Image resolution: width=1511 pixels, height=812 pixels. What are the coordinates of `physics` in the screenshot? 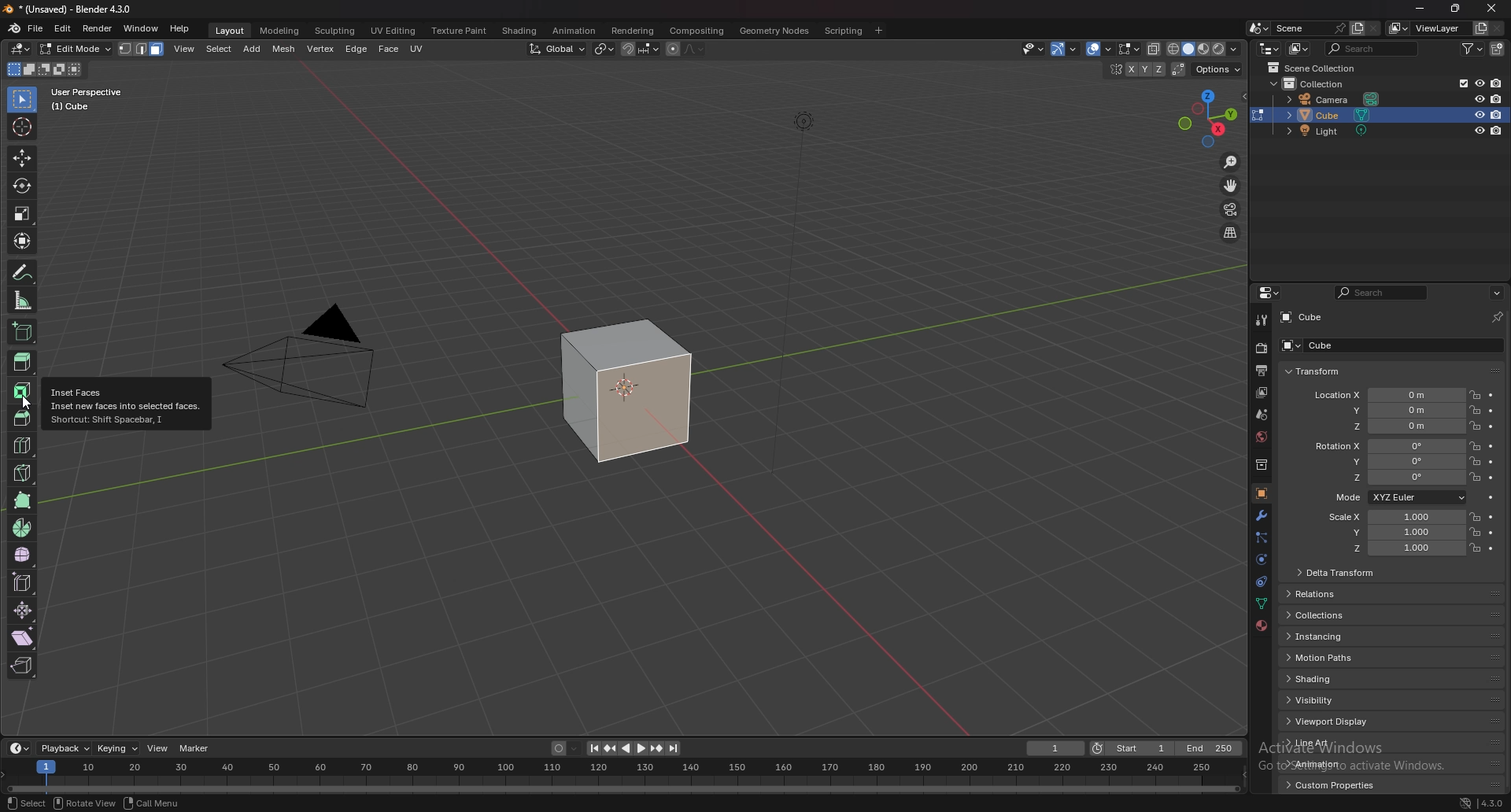 It's located at (1261, 560).